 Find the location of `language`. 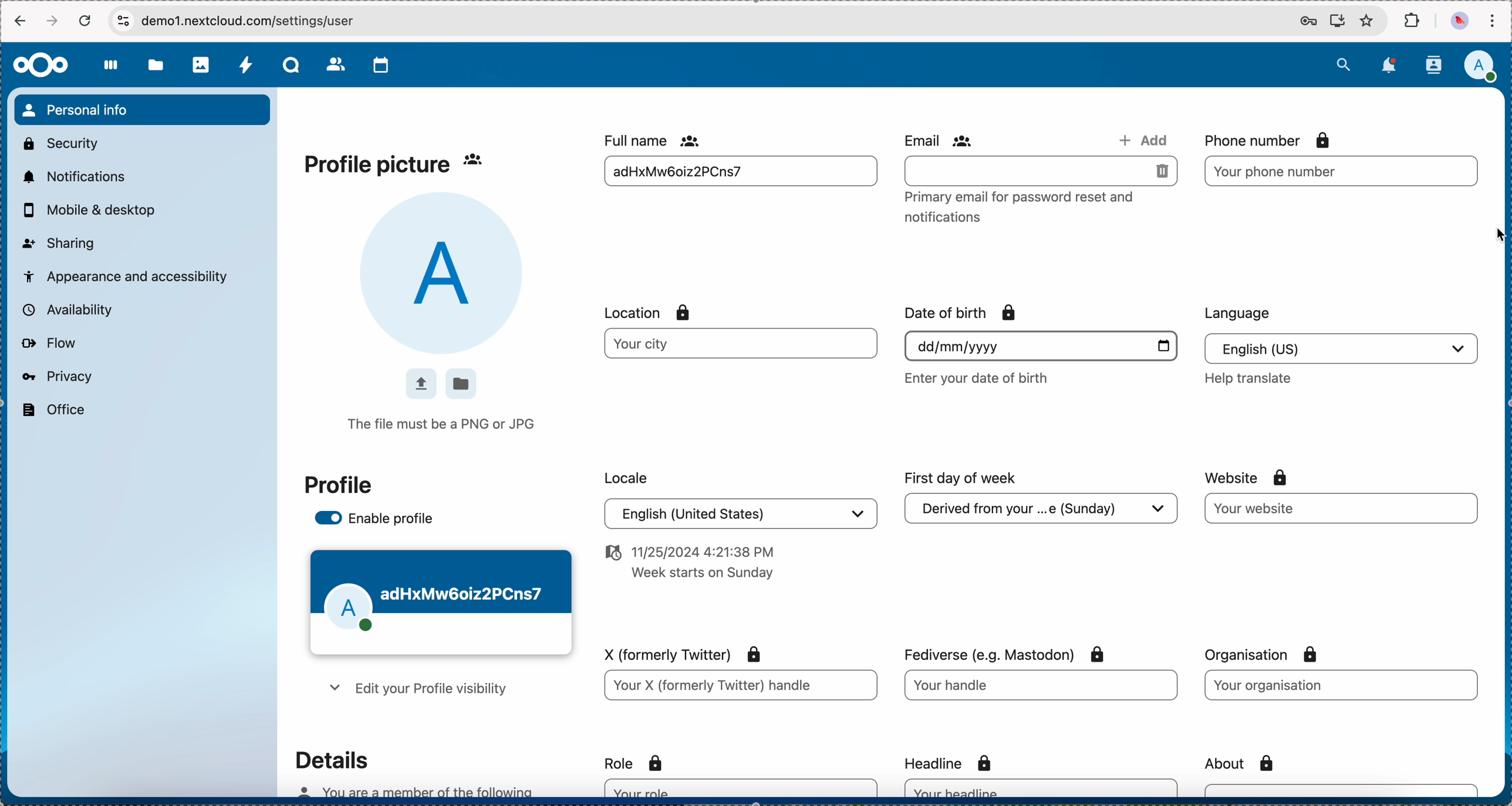

language is located at coordinates (1239, 313).